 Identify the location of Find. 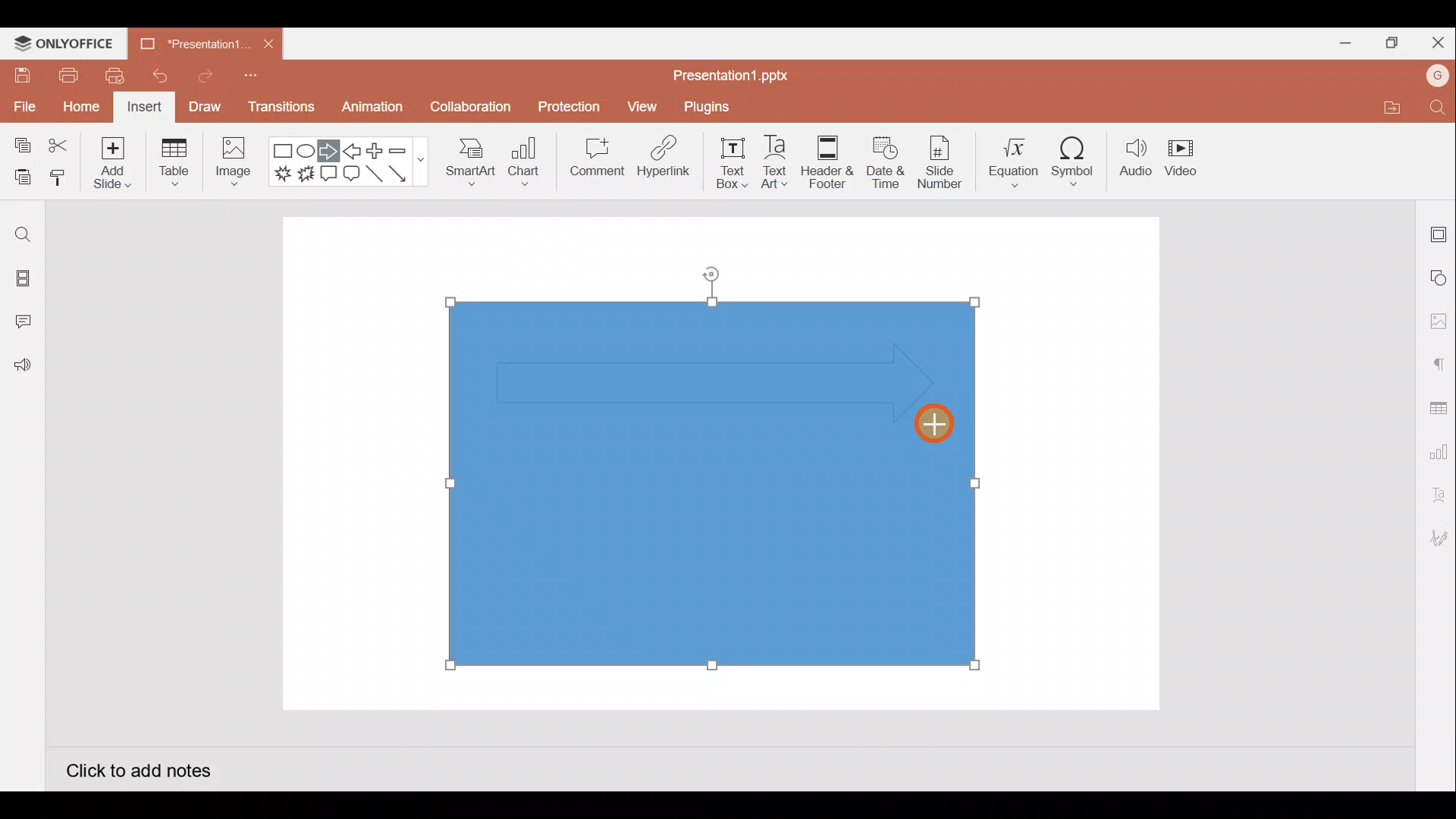
(1439, 107).